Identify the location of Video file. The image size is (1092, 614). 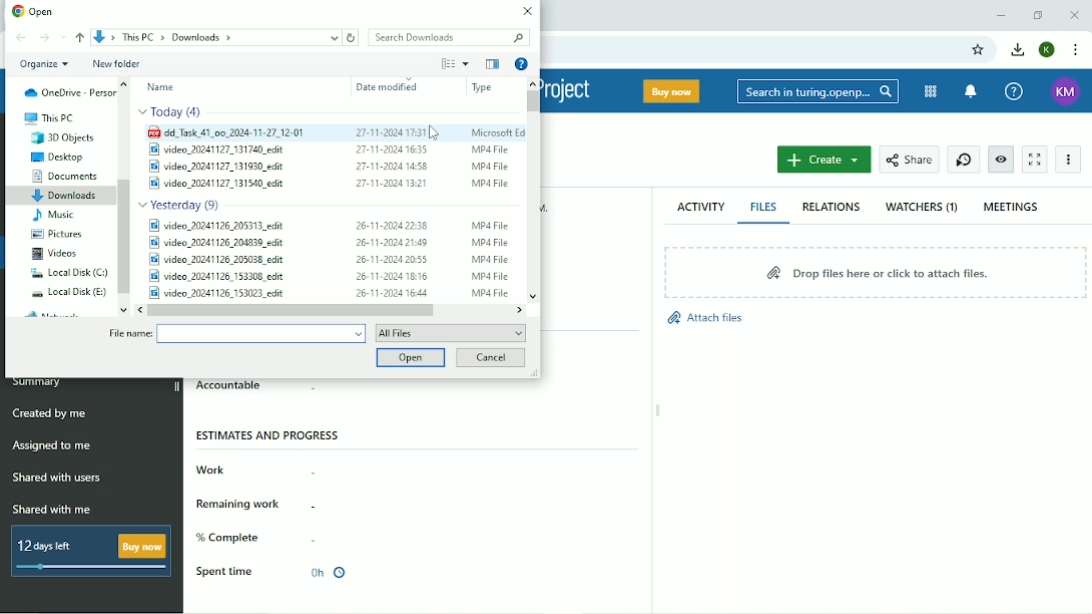
(327, 149).